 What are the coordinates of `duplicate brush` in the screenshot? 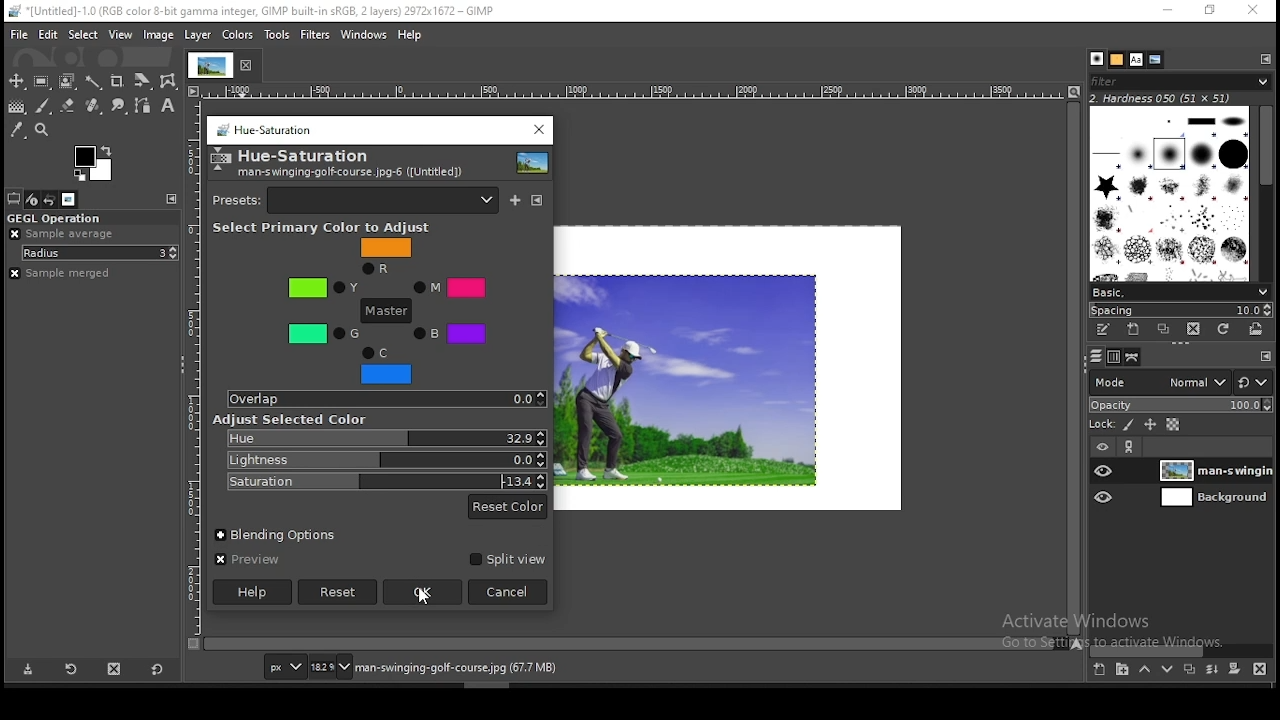 It's located at (1164, 330).